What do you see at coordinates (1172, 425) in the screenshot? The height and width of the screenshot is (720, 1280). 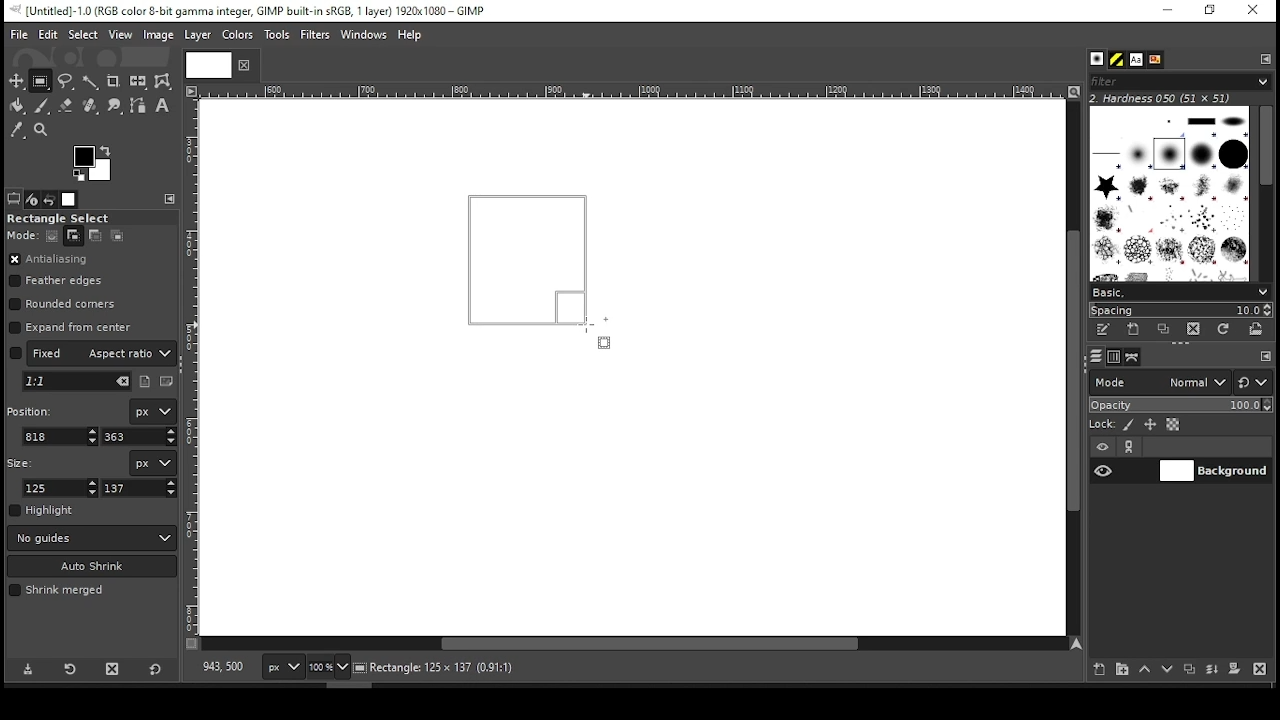 I see `lock alpha channel` at bounding box center [1172, 425].